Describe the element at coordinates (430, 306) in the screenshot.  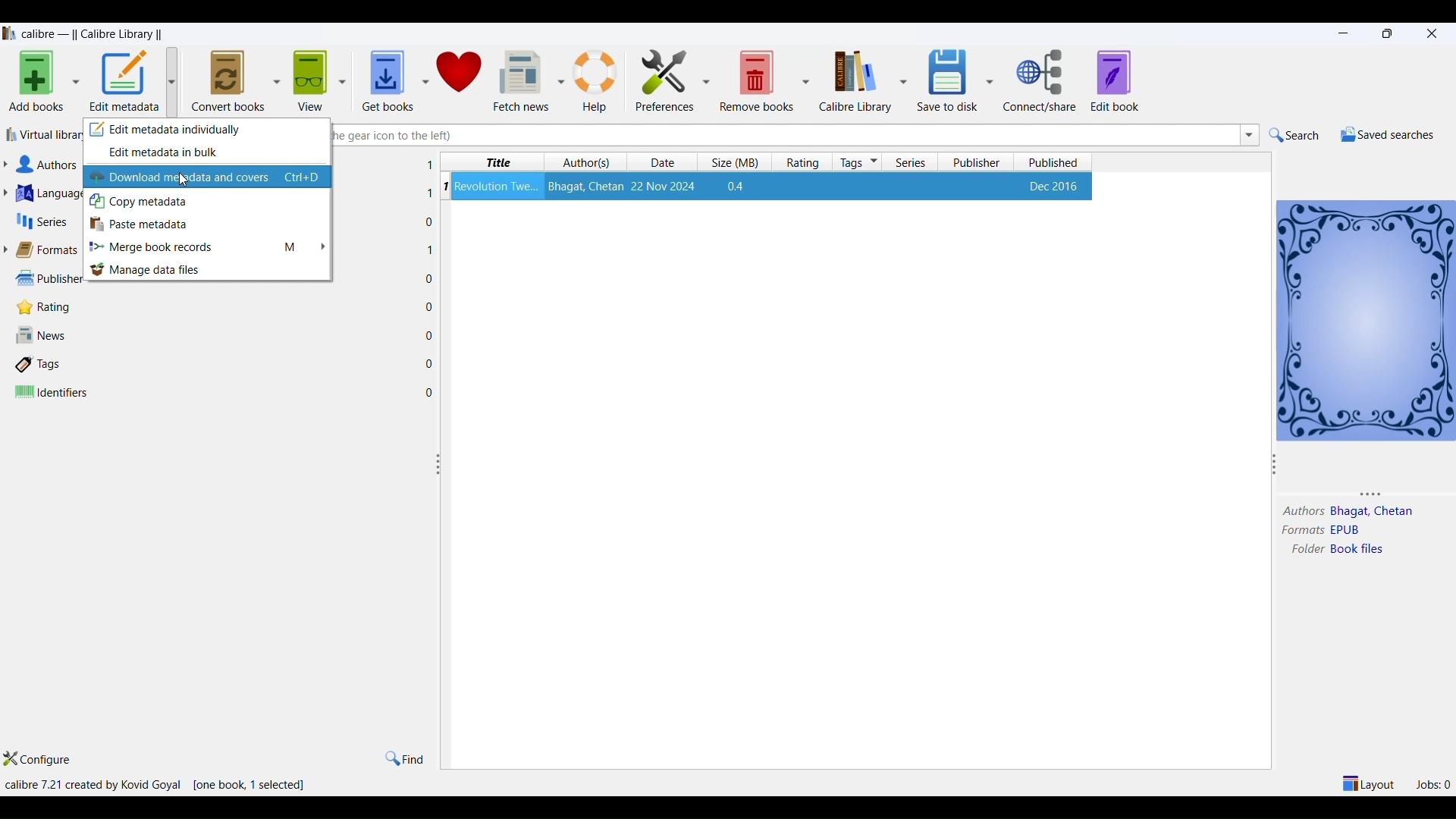
I see `0` at that location.